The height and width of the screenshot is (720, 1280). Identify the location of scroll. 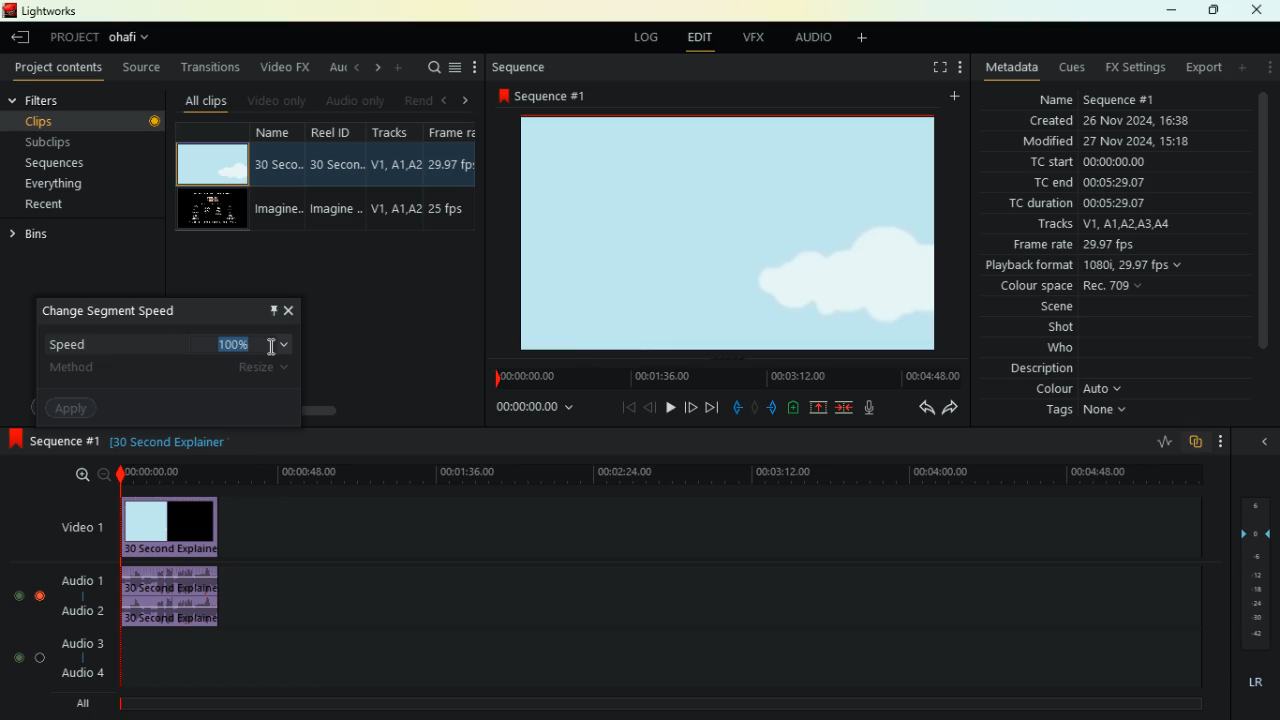
(292, 404).